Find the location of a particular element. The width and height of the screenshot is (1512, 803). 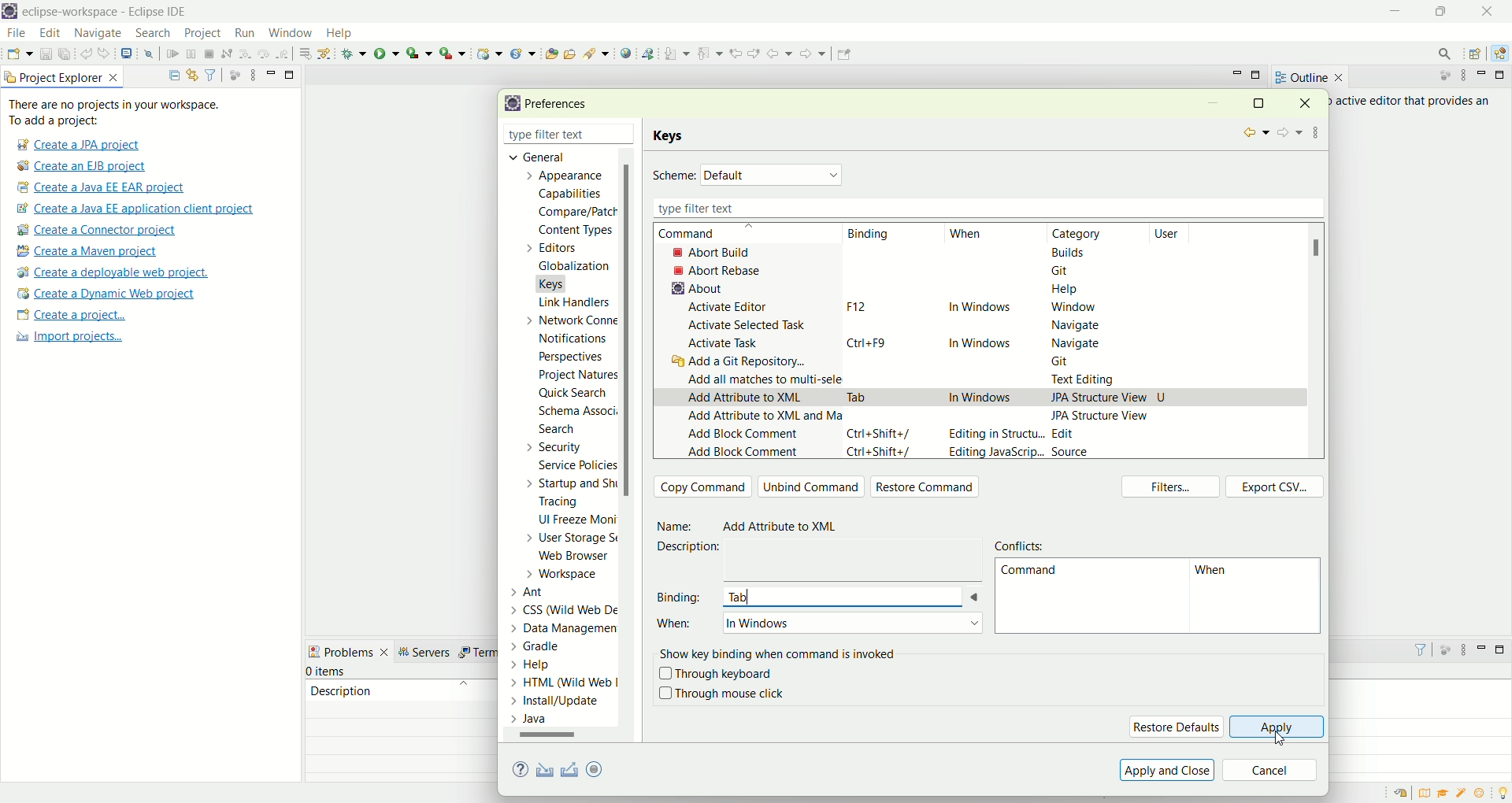

ctrl+shift+/ is located at coordinates (880, 433).